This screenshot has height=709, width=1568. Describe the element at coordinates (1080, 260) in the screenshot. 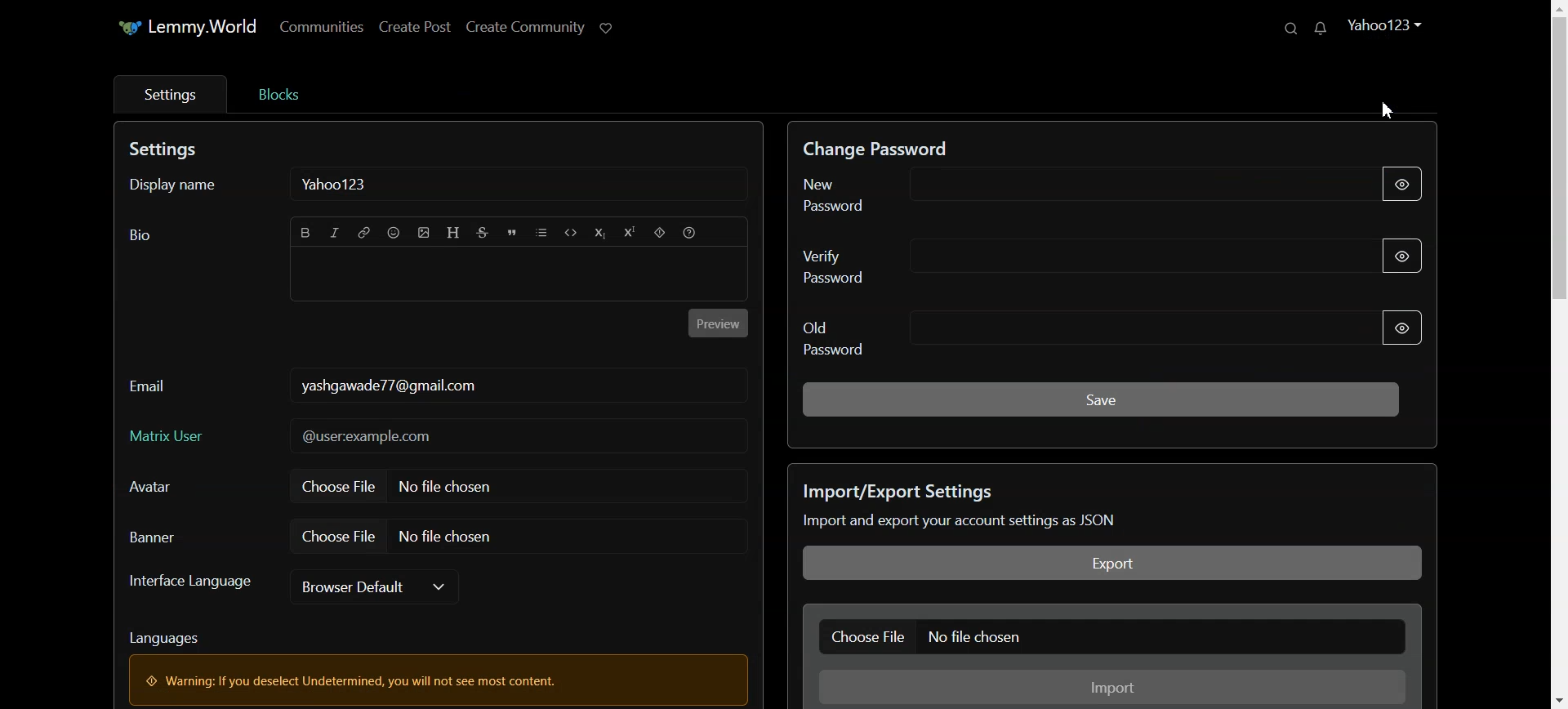

I see `Verify Password` at that location.